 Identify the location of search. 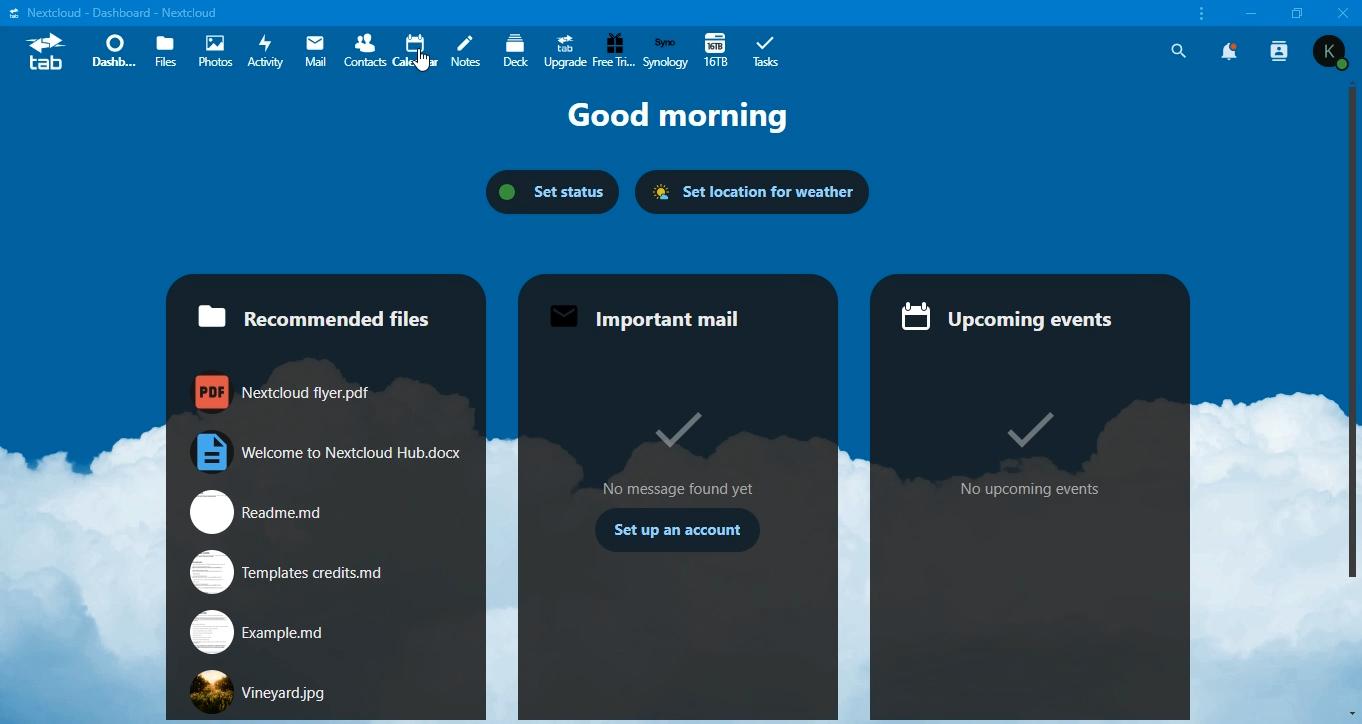
(1179, 51).